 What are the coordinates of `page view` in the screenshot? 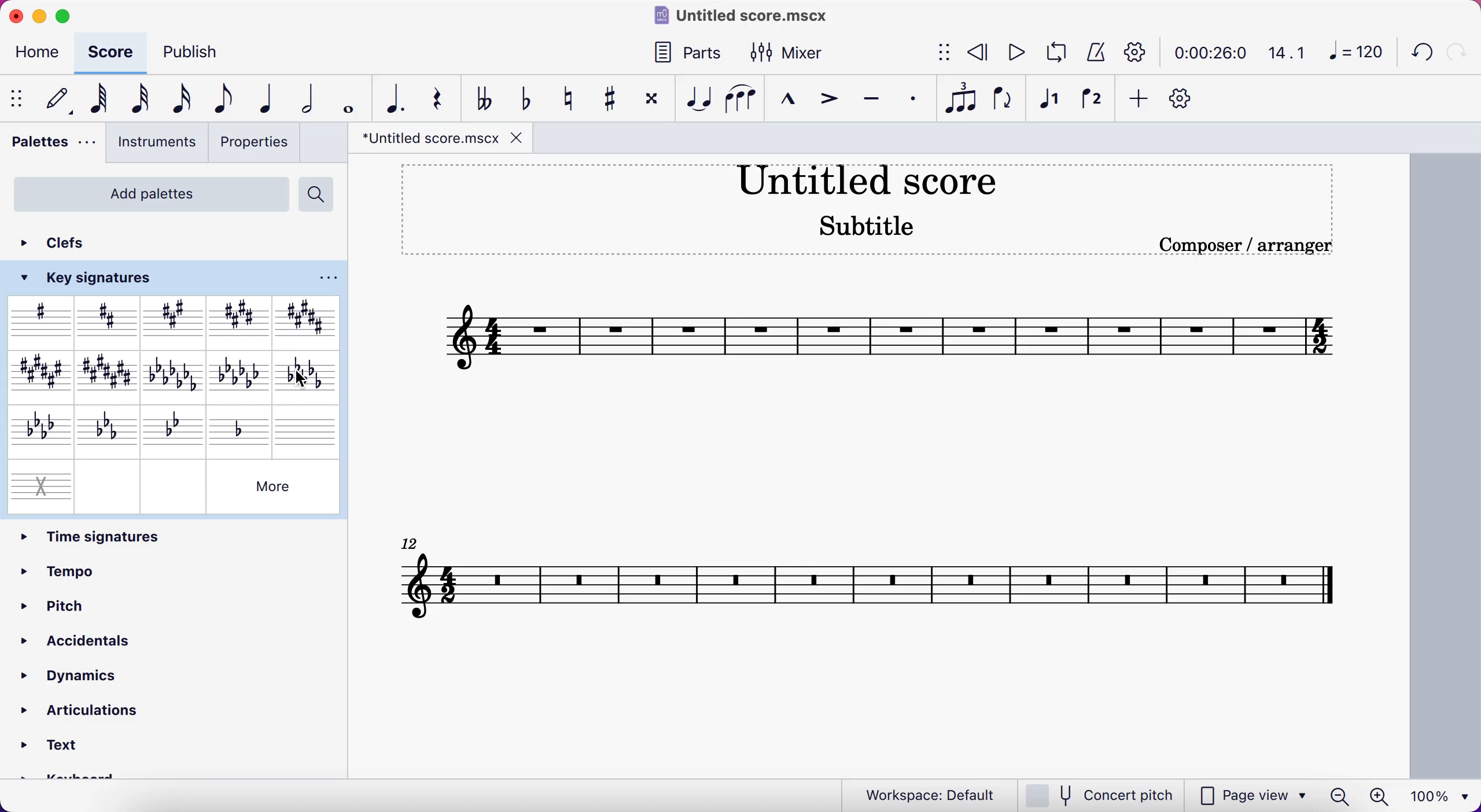 It's located at (1251, 795).